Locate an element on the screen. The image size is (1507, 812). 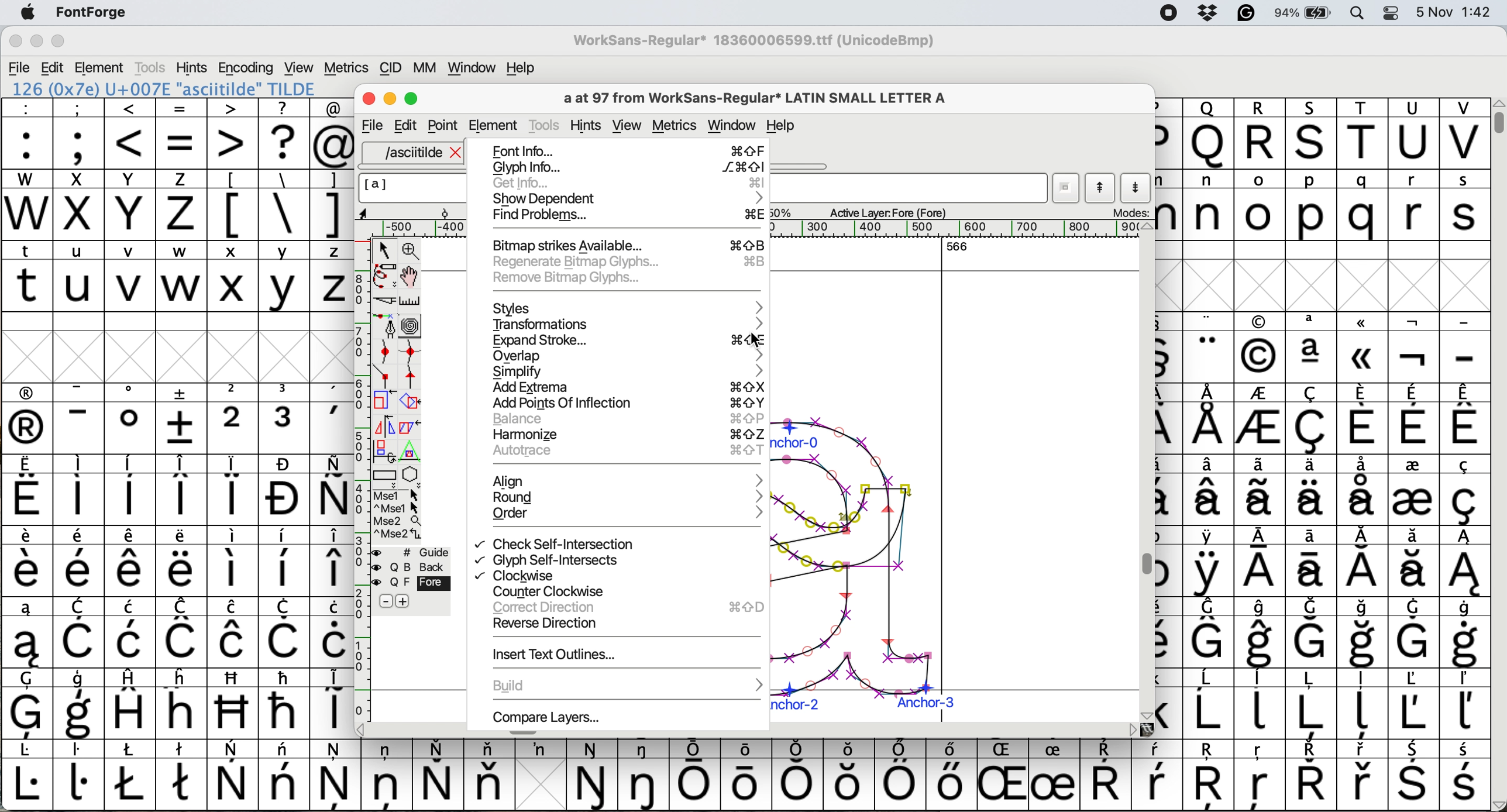
fore is located at coordinates (412, 583).